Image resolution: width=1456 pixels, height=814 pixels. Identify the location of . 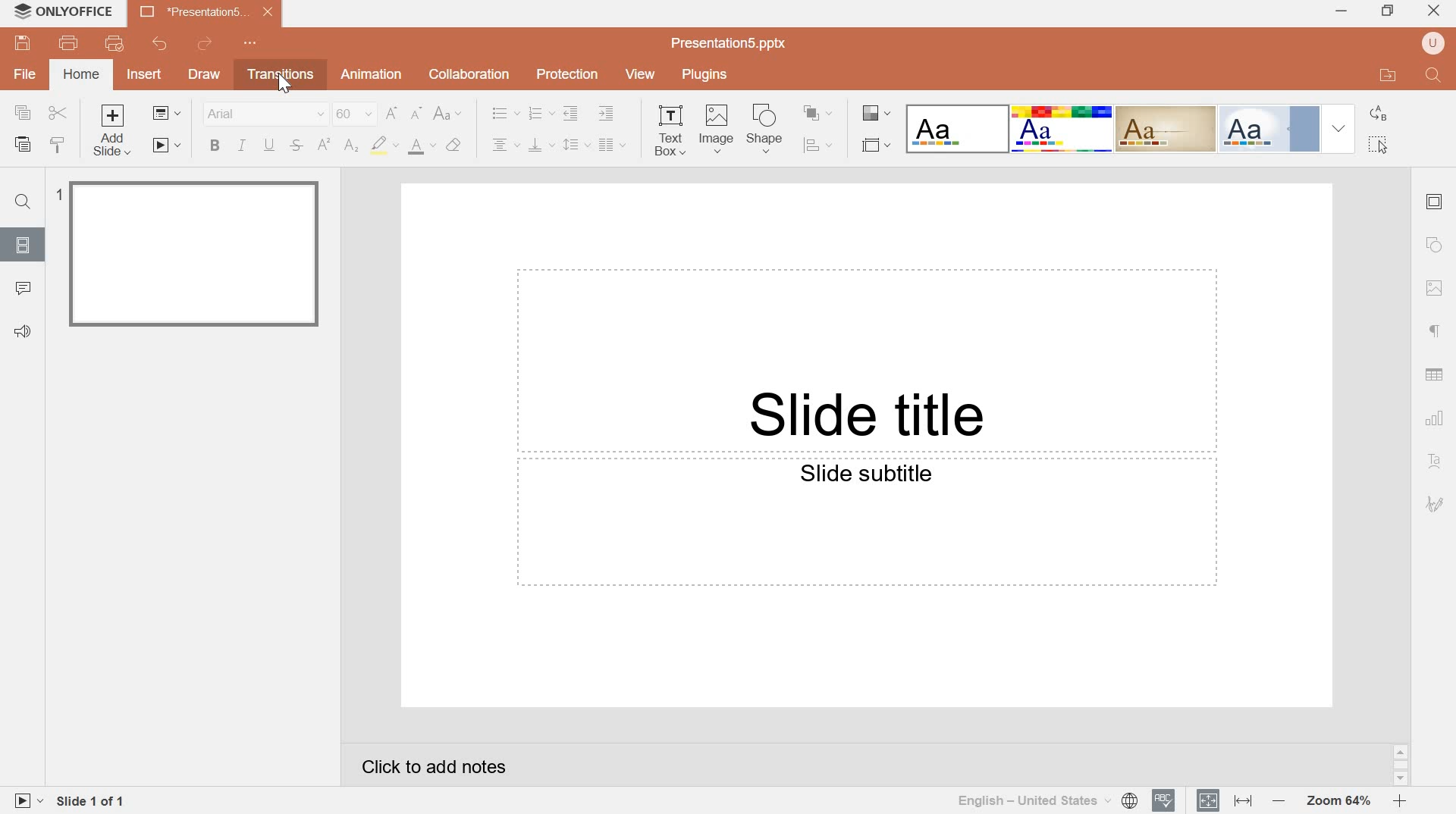
(519, 309).